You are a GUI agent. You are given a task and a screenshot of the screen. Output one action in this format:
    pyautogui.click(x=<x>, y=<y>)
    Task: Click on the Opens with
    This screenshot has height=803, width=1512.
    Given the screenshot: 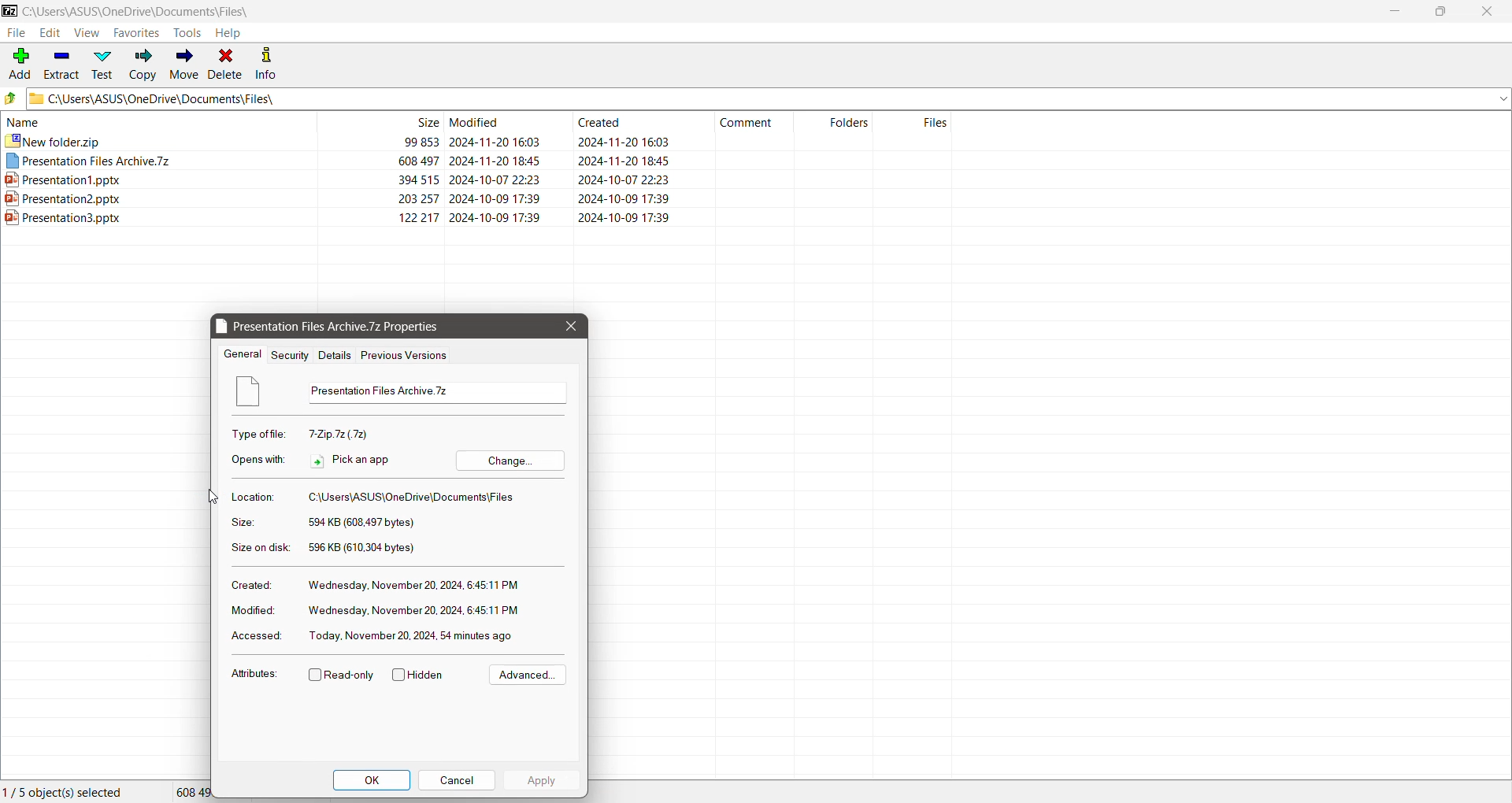 What is the action you would take?
    pyautogui.click(x=258, y=460)
    